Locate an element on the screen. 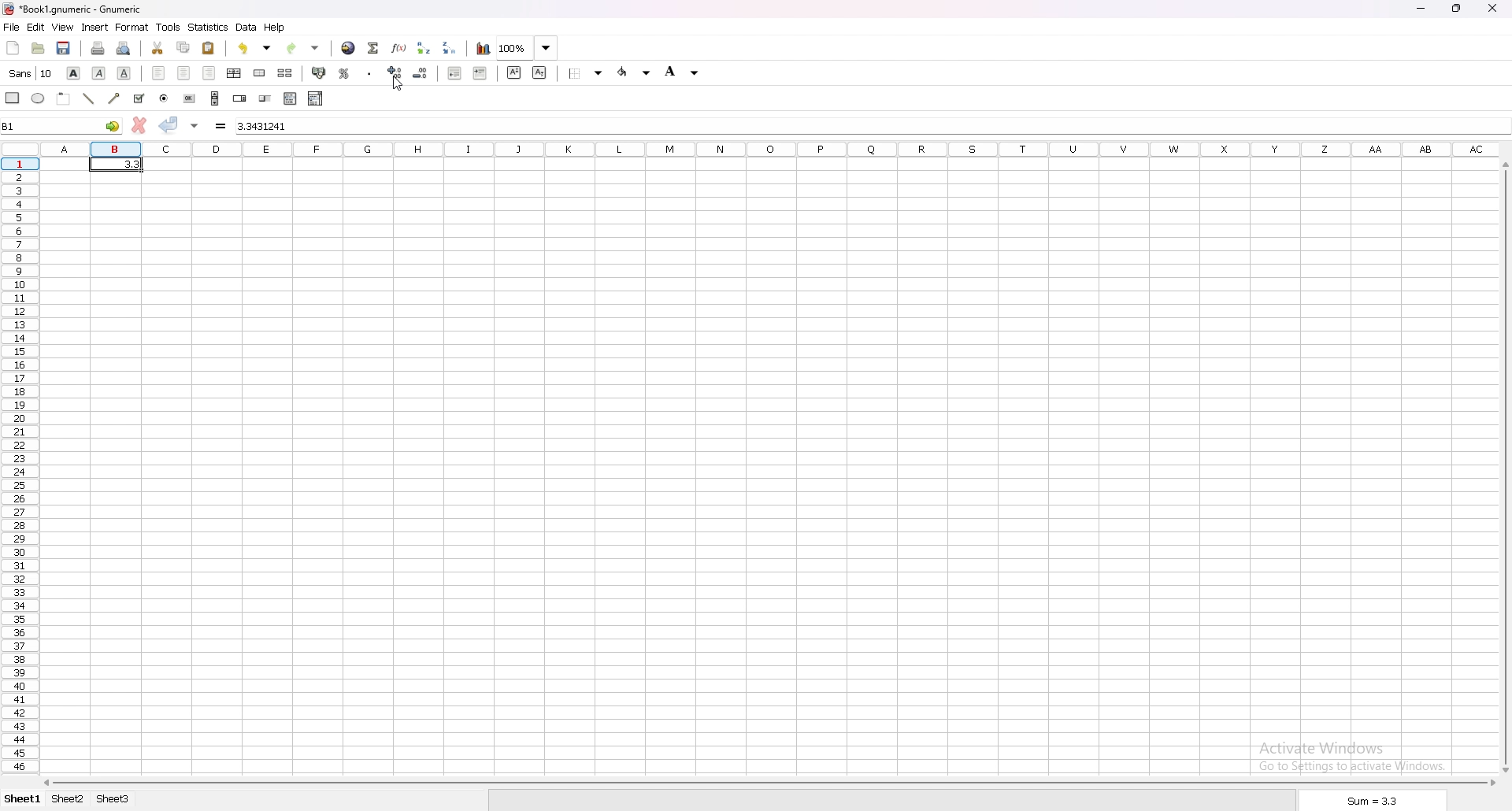 Image resolution: width=1512 pixels, height=811 pixels. line is located at coordinates (87, 99).